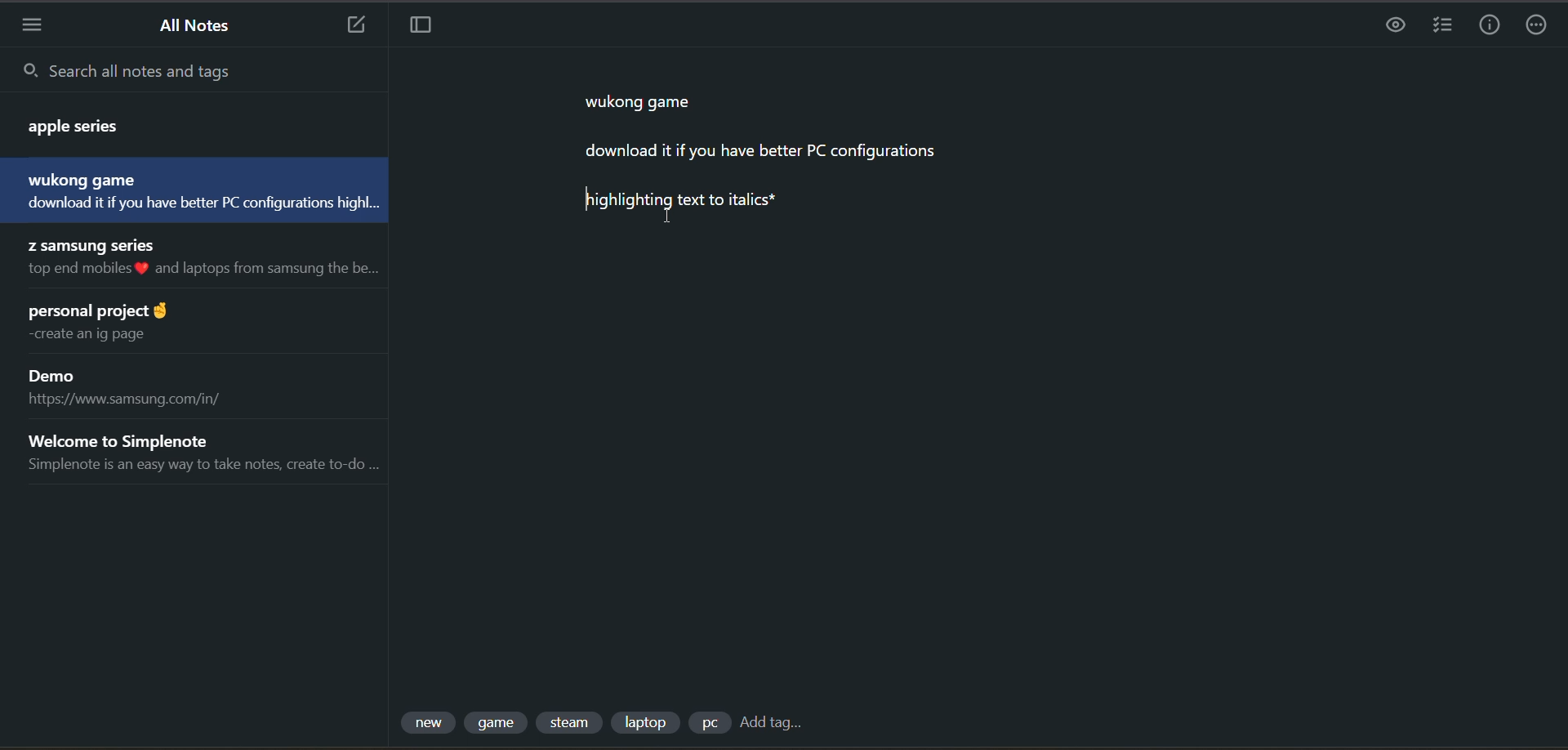  What do you see at coordinates (180, 122) in the screenshot?
I see `note title and preview` at bounding box center [180, 122].